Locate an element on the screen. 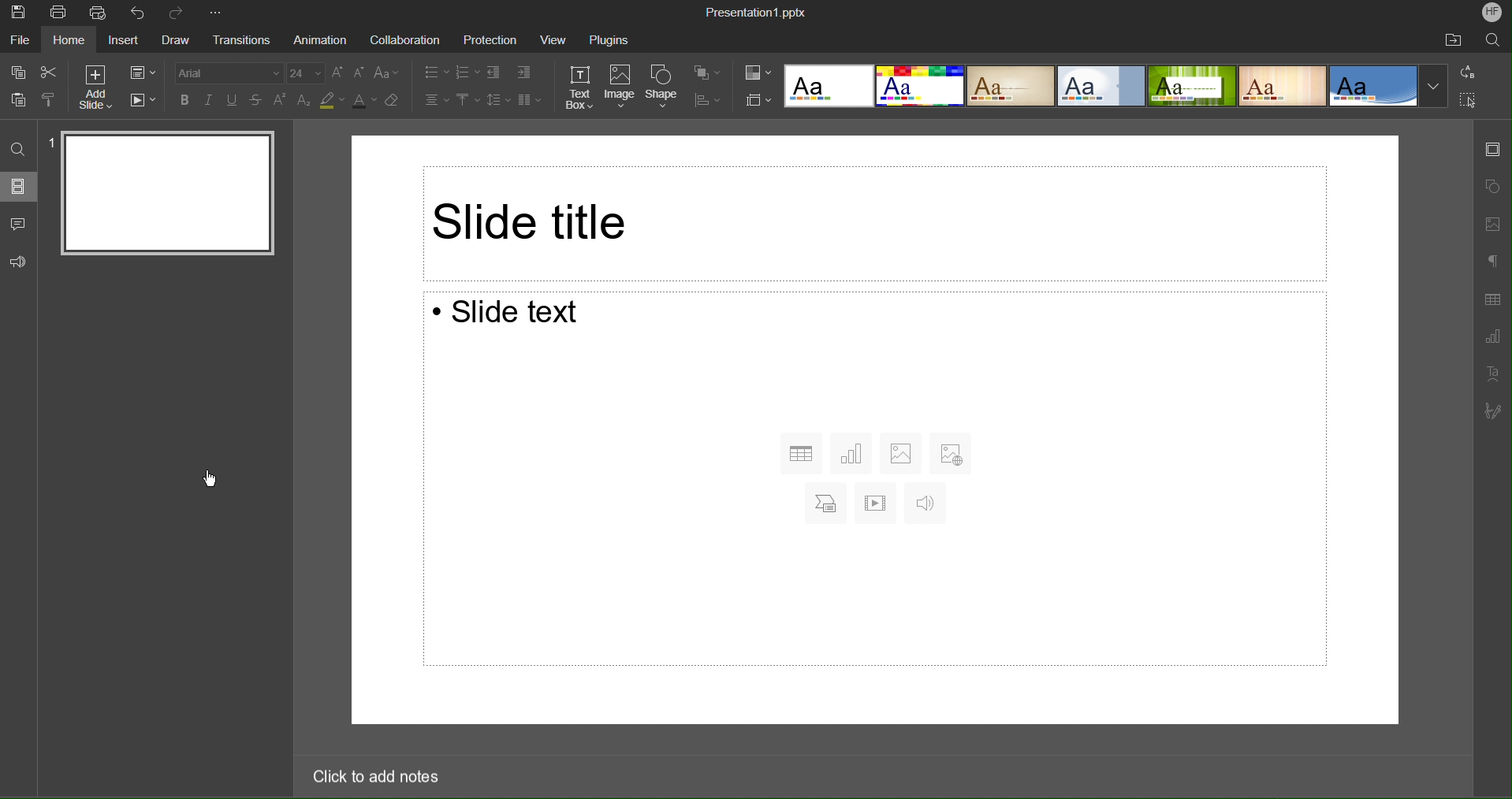 Image resolution: width=1512 pixels, height=799 pixels. Columns is located at coordinates (527, 98).